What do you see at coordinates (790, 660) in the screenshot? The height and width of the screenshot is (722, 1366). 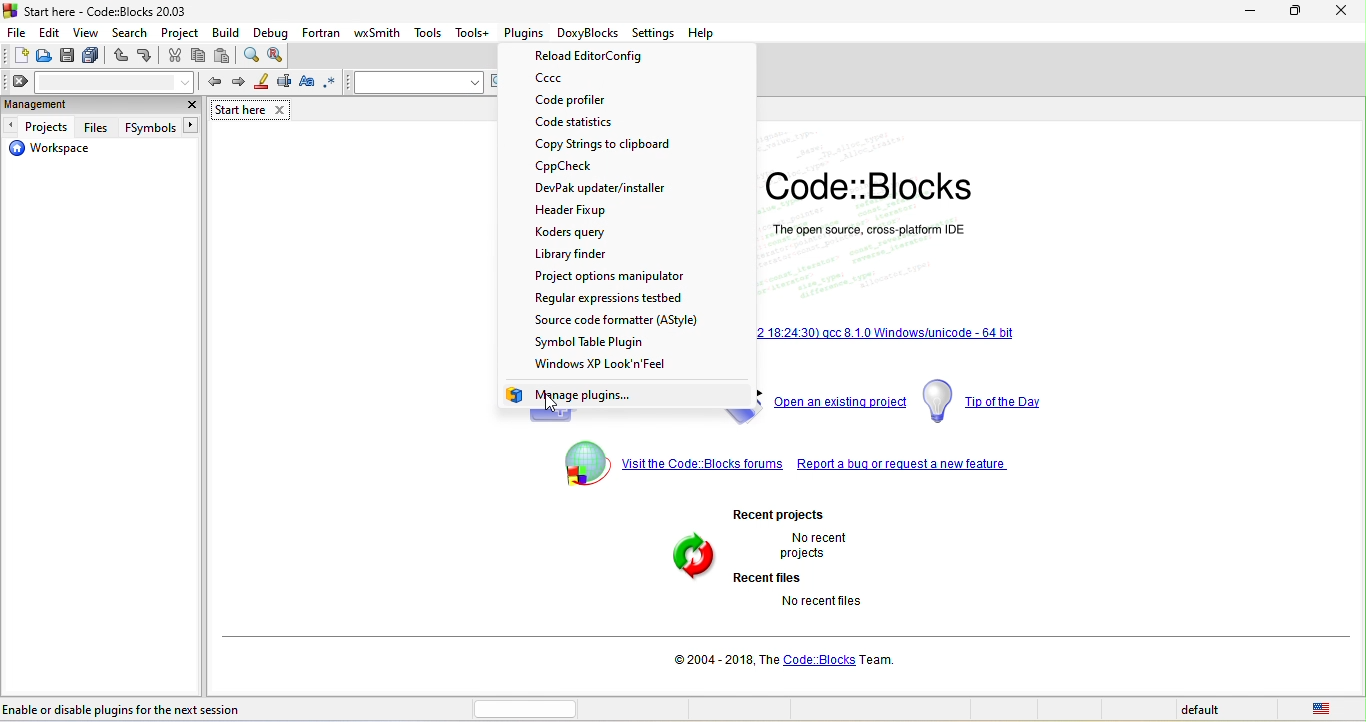 I see `2004-2018 the code blocks team` at bounding box center [790, 660].